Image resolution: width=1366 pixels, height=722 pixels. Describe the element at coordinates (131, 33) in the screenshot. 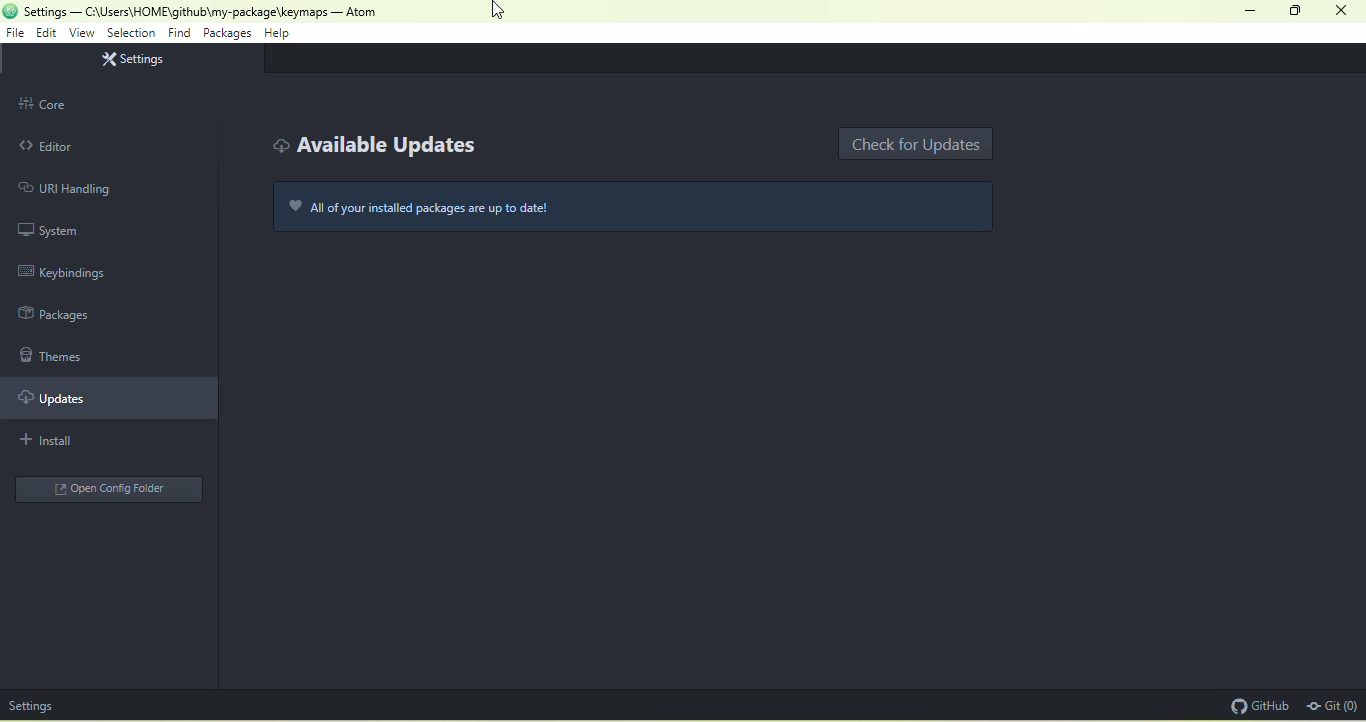

I see `selection` at that location.